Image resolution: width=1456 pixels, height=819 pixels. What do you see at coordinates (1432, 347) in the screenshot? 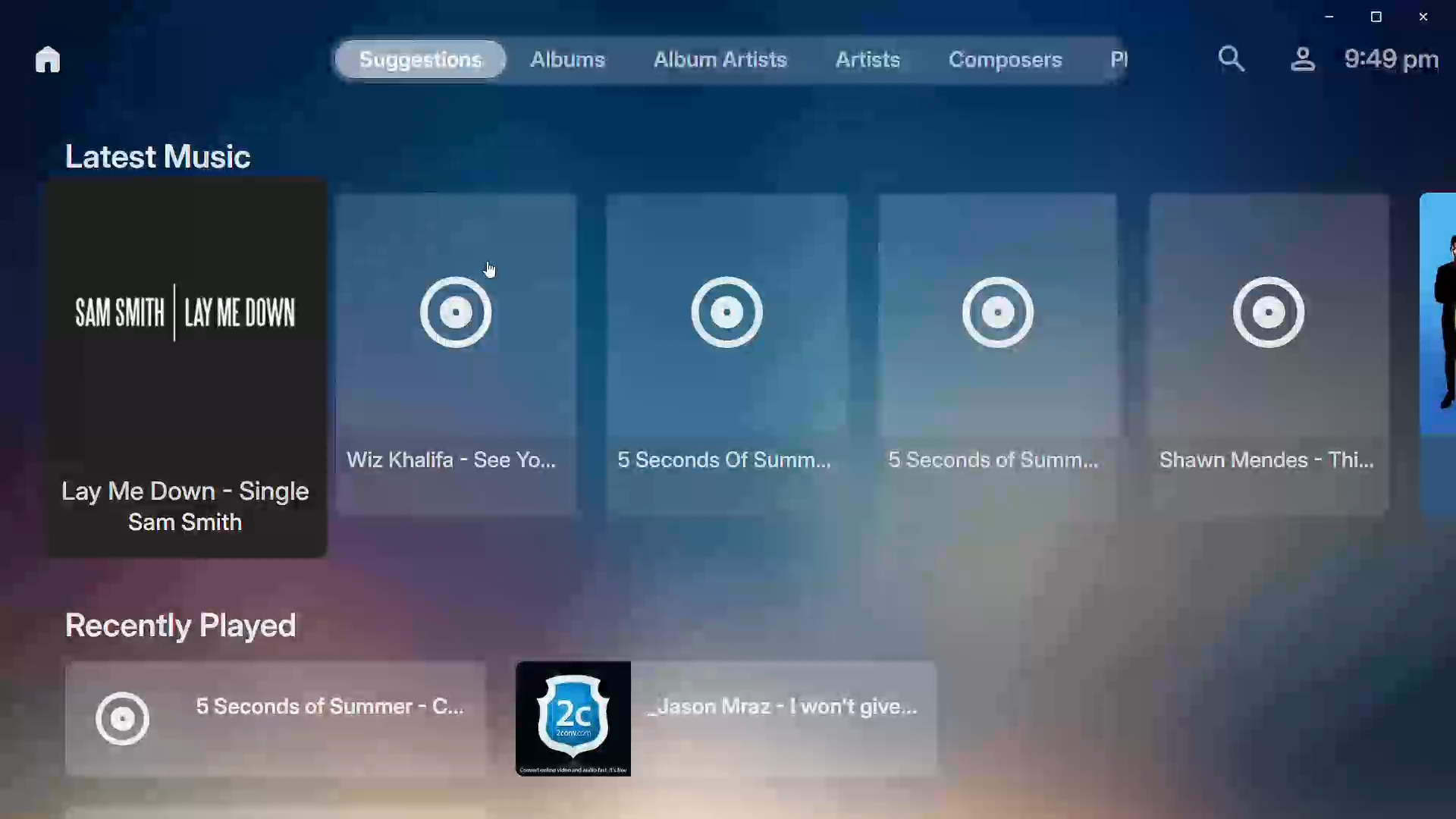
I see `Poster` at bounding box center [1432, 347].